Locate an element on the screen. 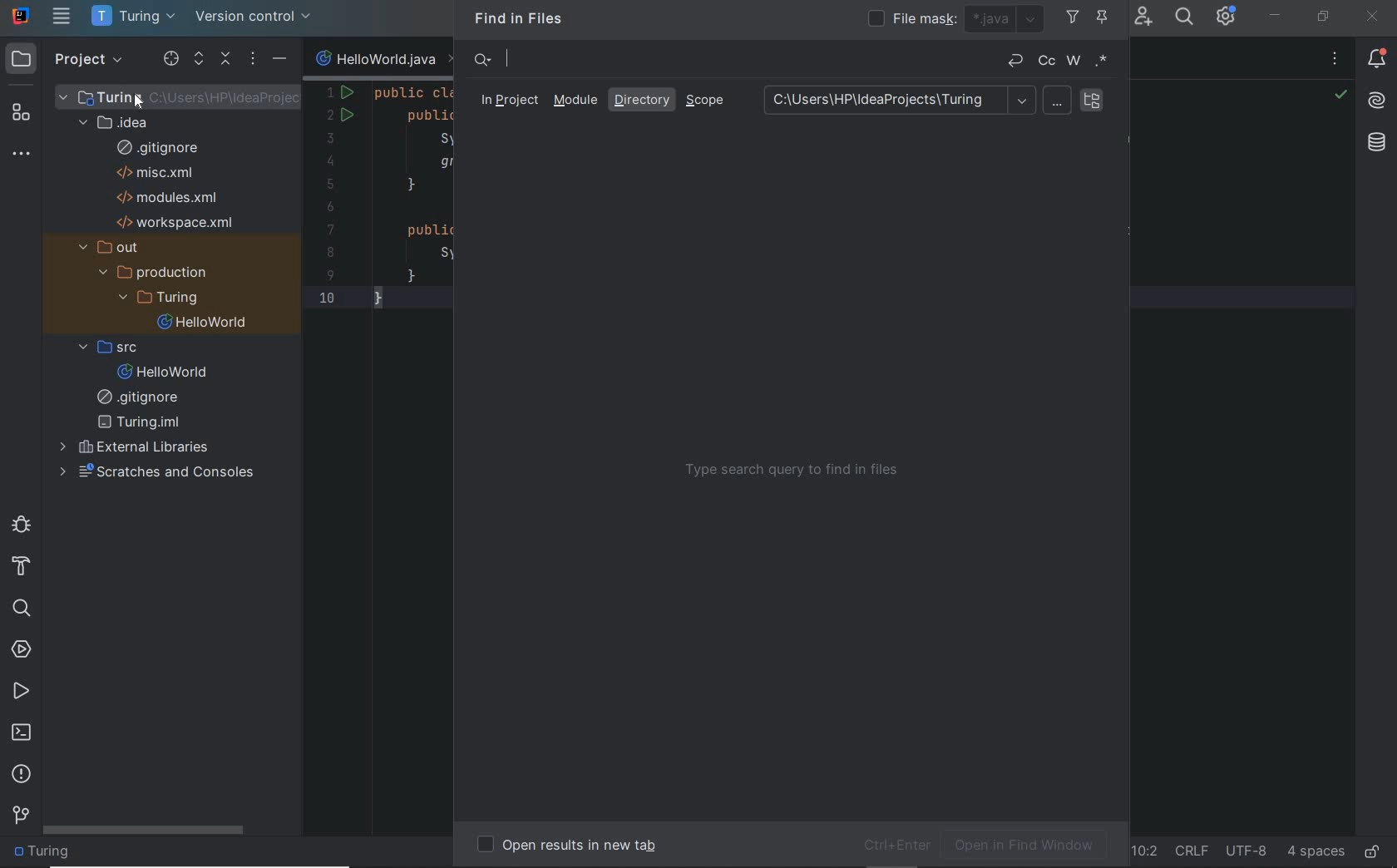  IDE & Project settings is located at coordinates (1231, 17).